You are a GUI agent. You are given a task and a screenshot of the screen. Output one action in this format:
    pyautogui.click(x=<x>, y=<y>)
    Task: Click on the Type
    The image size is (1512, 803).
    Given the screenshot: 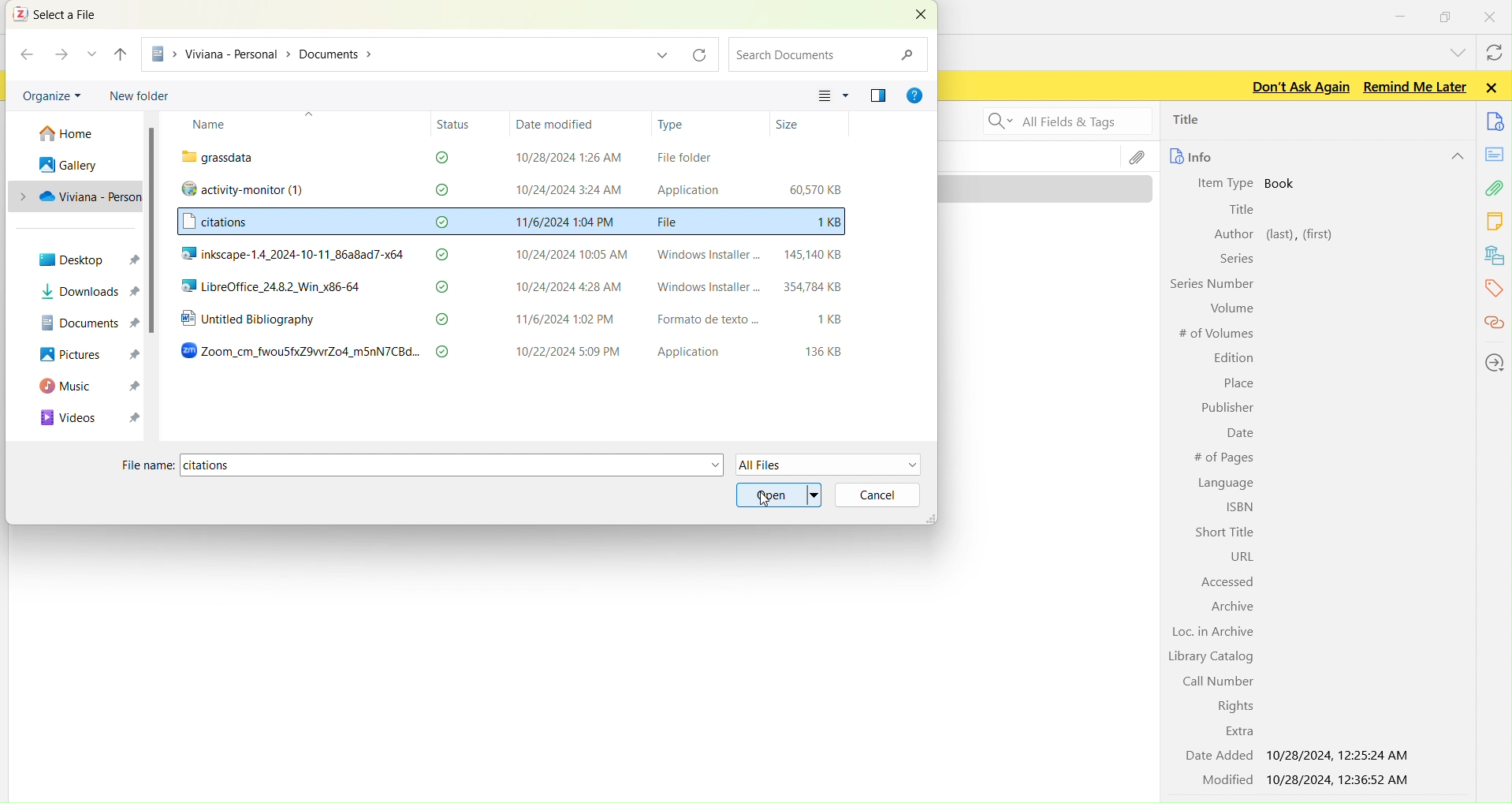 What is the action you would take?
    pyautogui.click(x=668, y=125)
    